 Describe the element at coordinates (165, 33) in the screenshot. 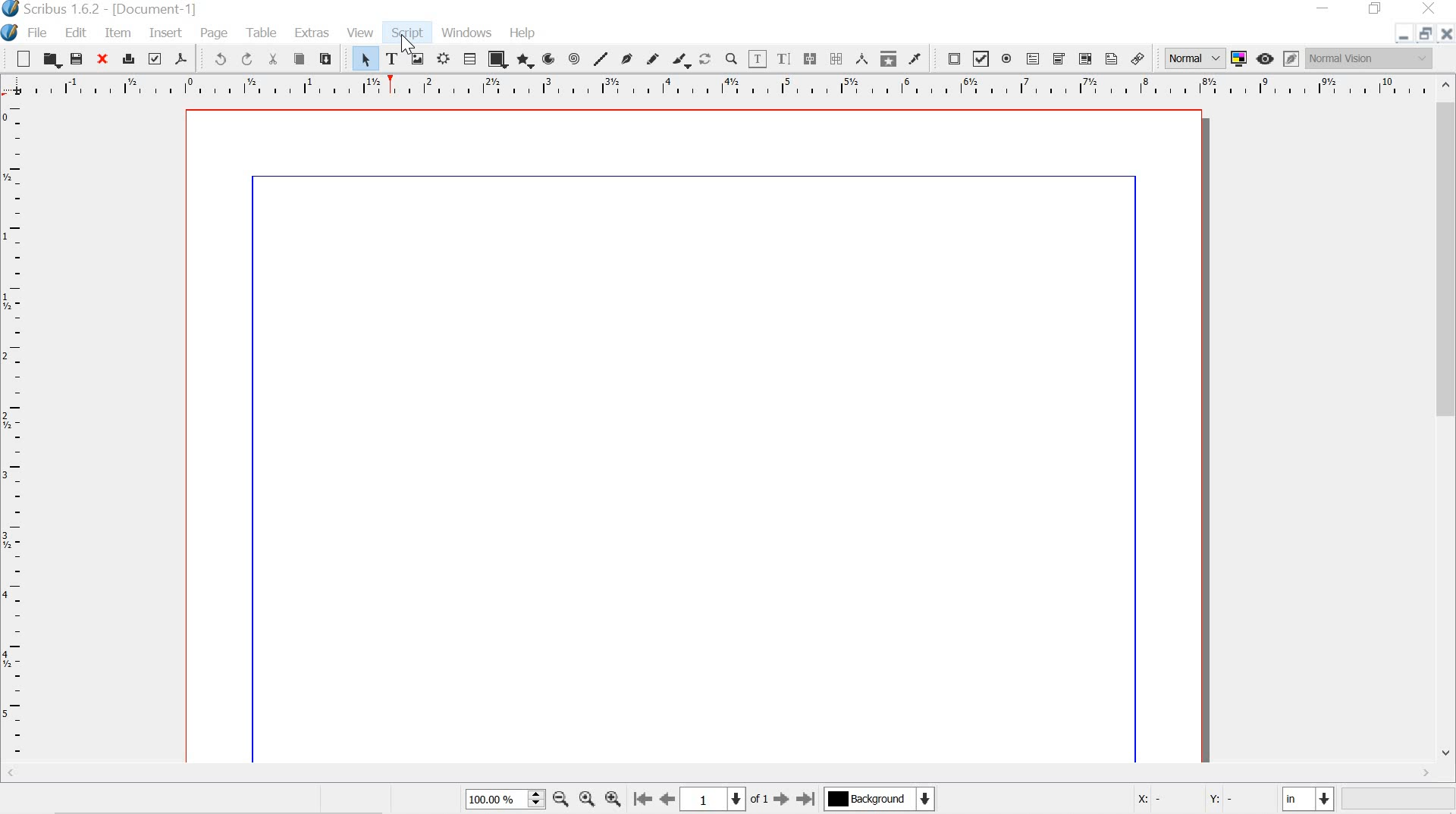

I see `insert` at that location.